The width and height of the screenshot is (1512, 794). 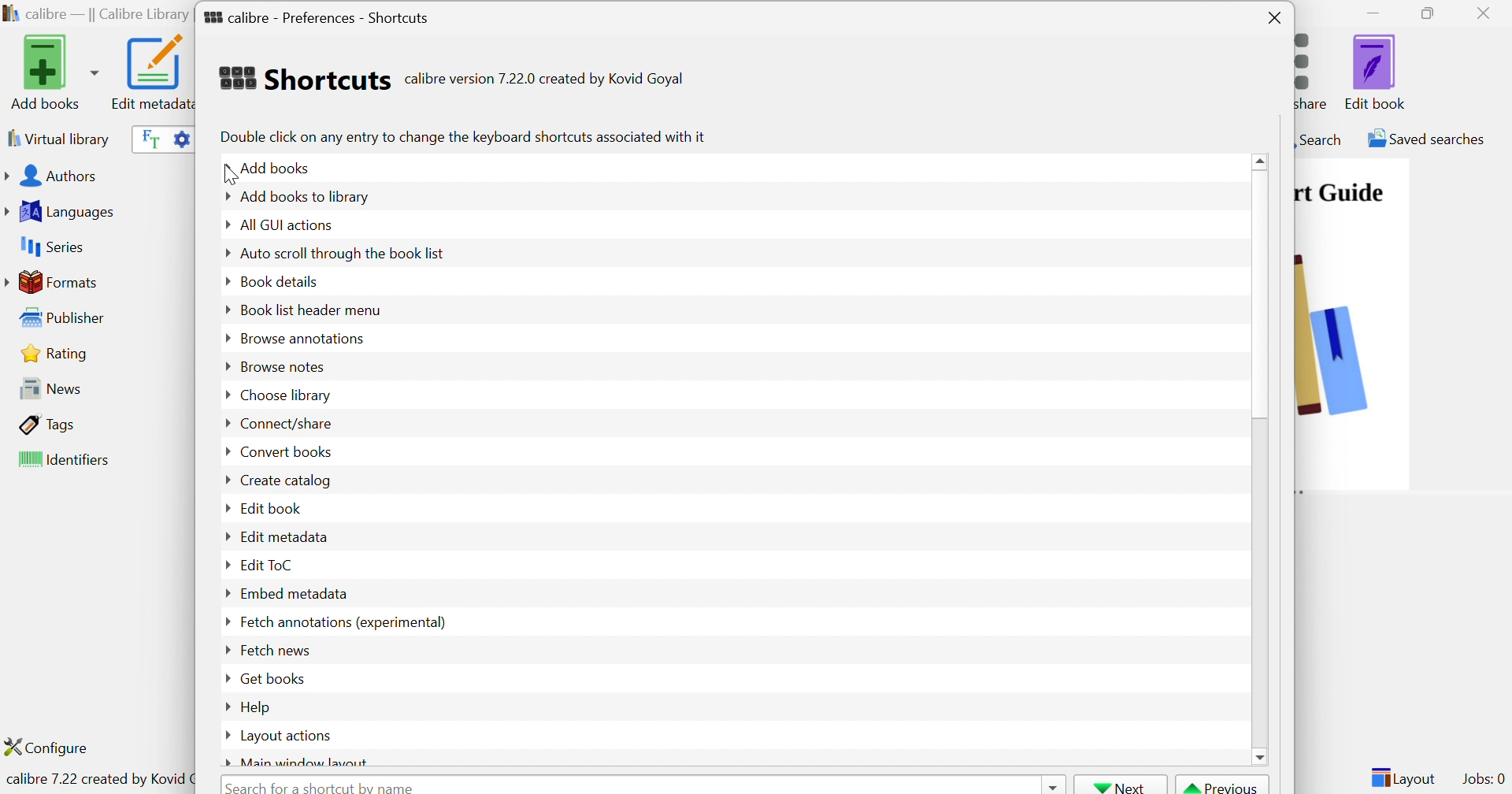 I want to click on Configure, so click(x=53, y=747).